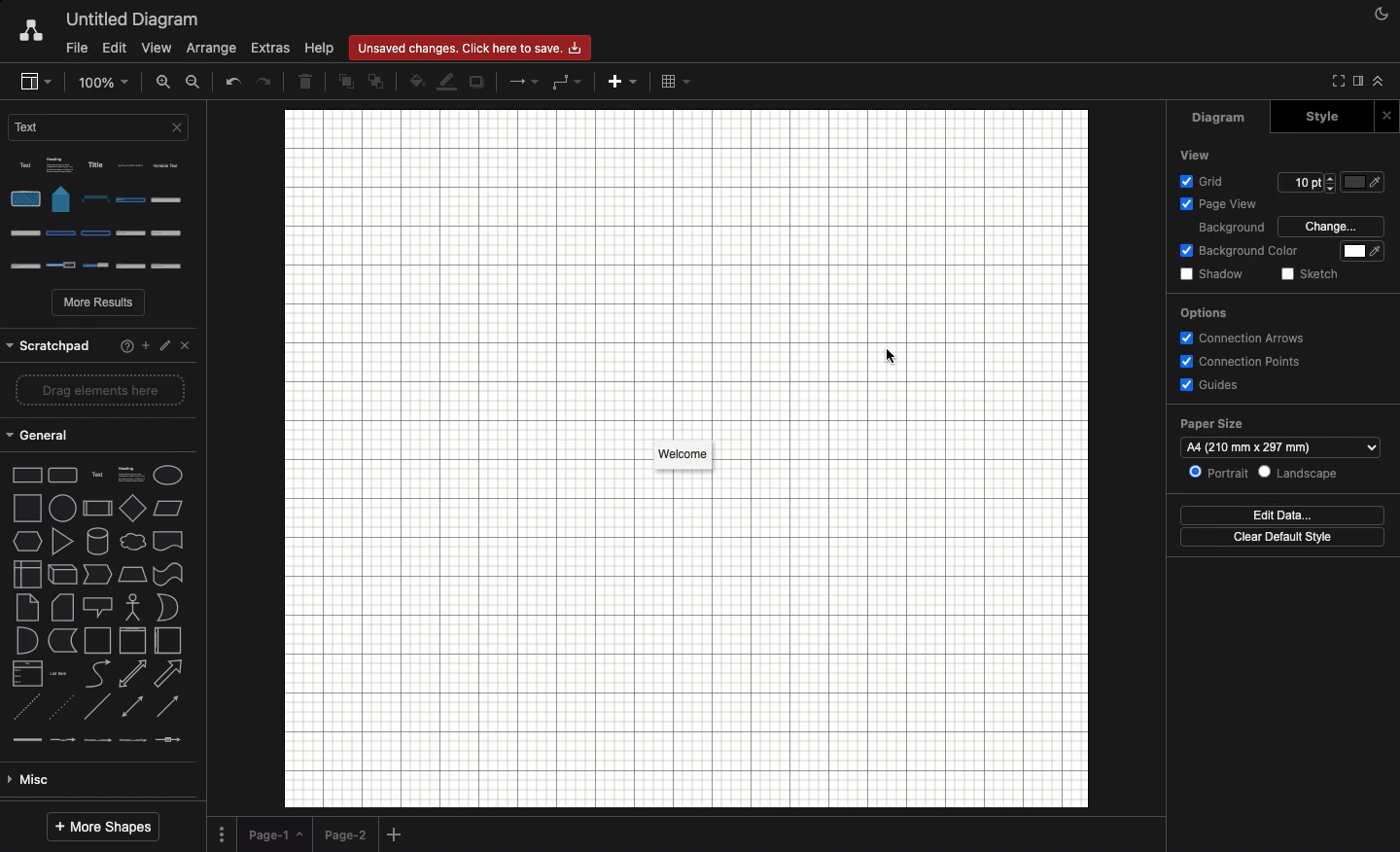 The image size is (1400, 852). I want to click on Options, so click(222, 833).